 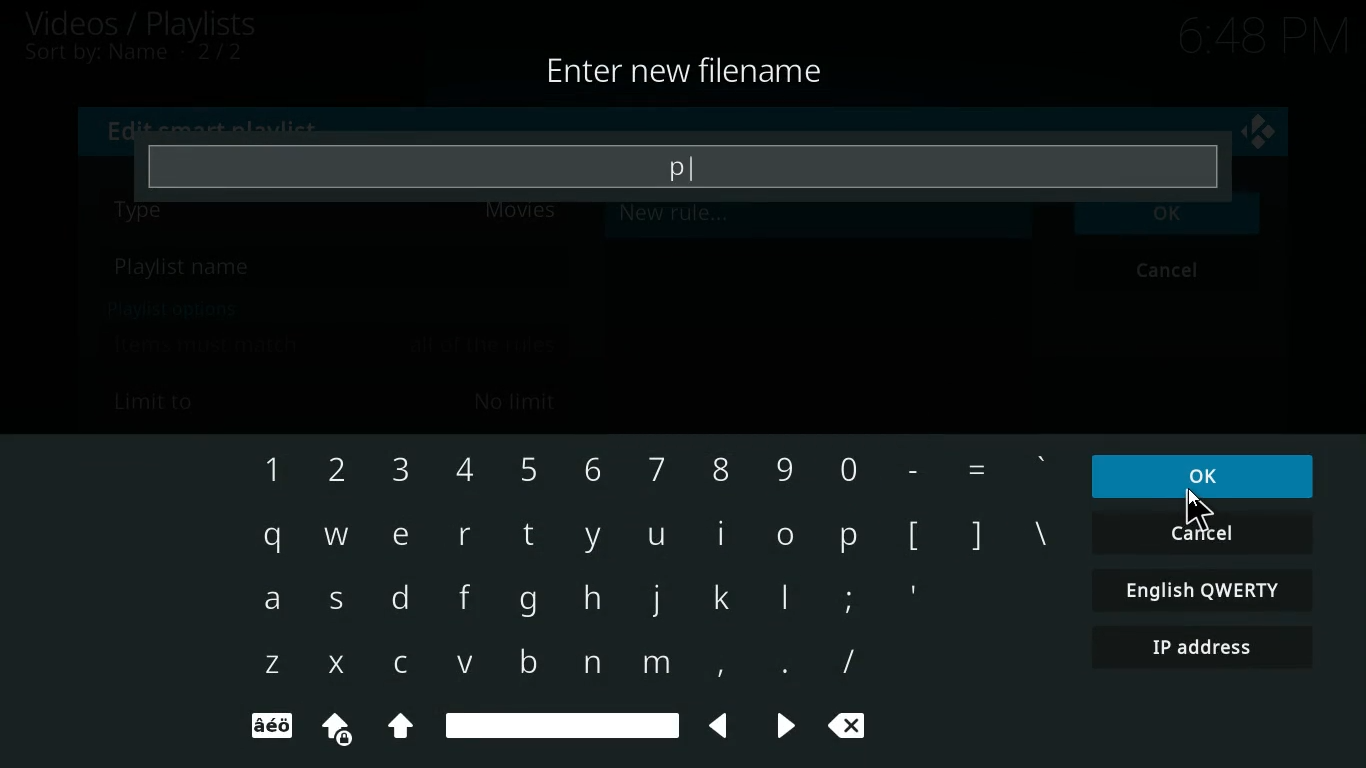 I want to click on english qwerty, so click(x=1198, y=589).